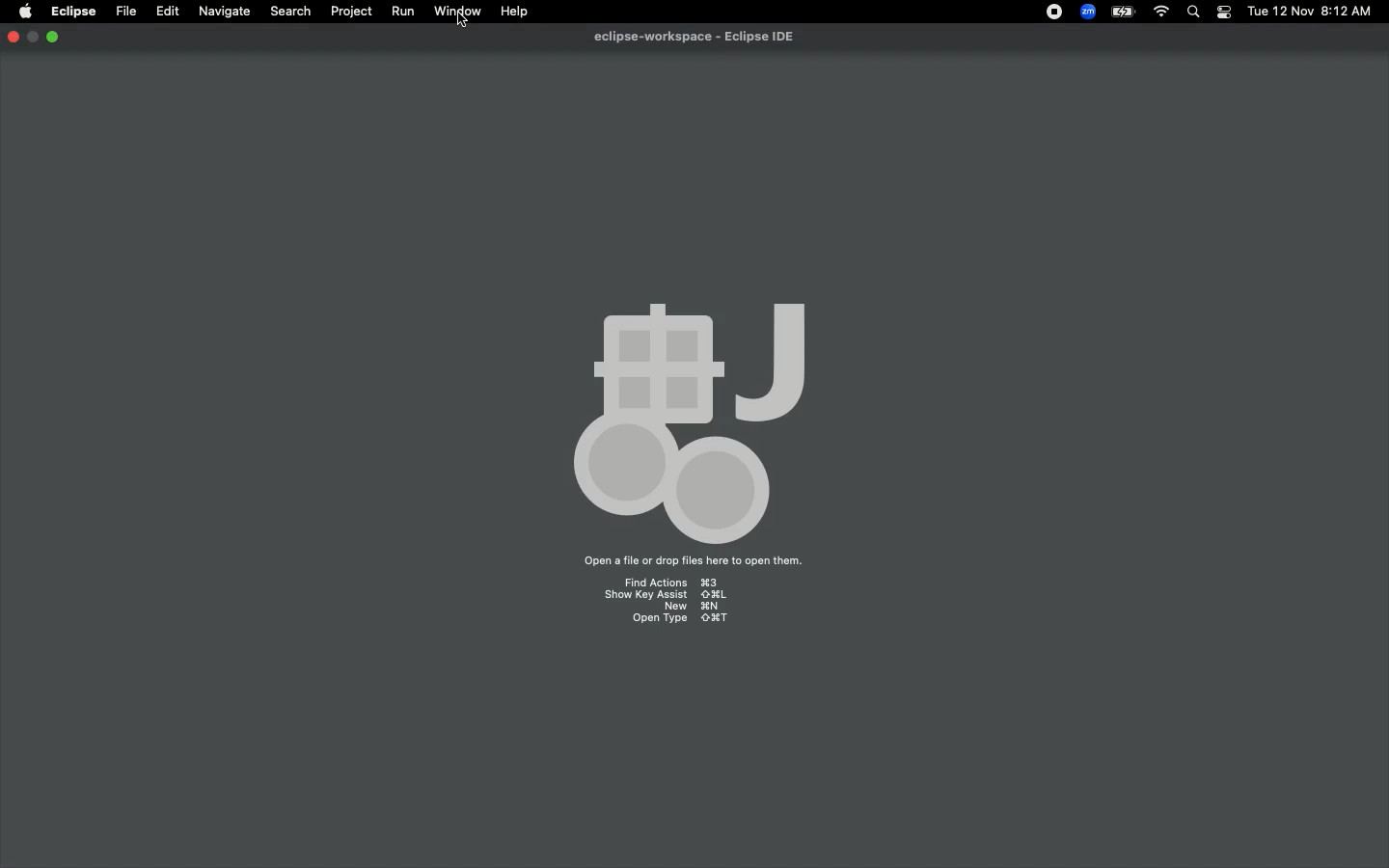  I want to click on Notification, so click(1223, 13).